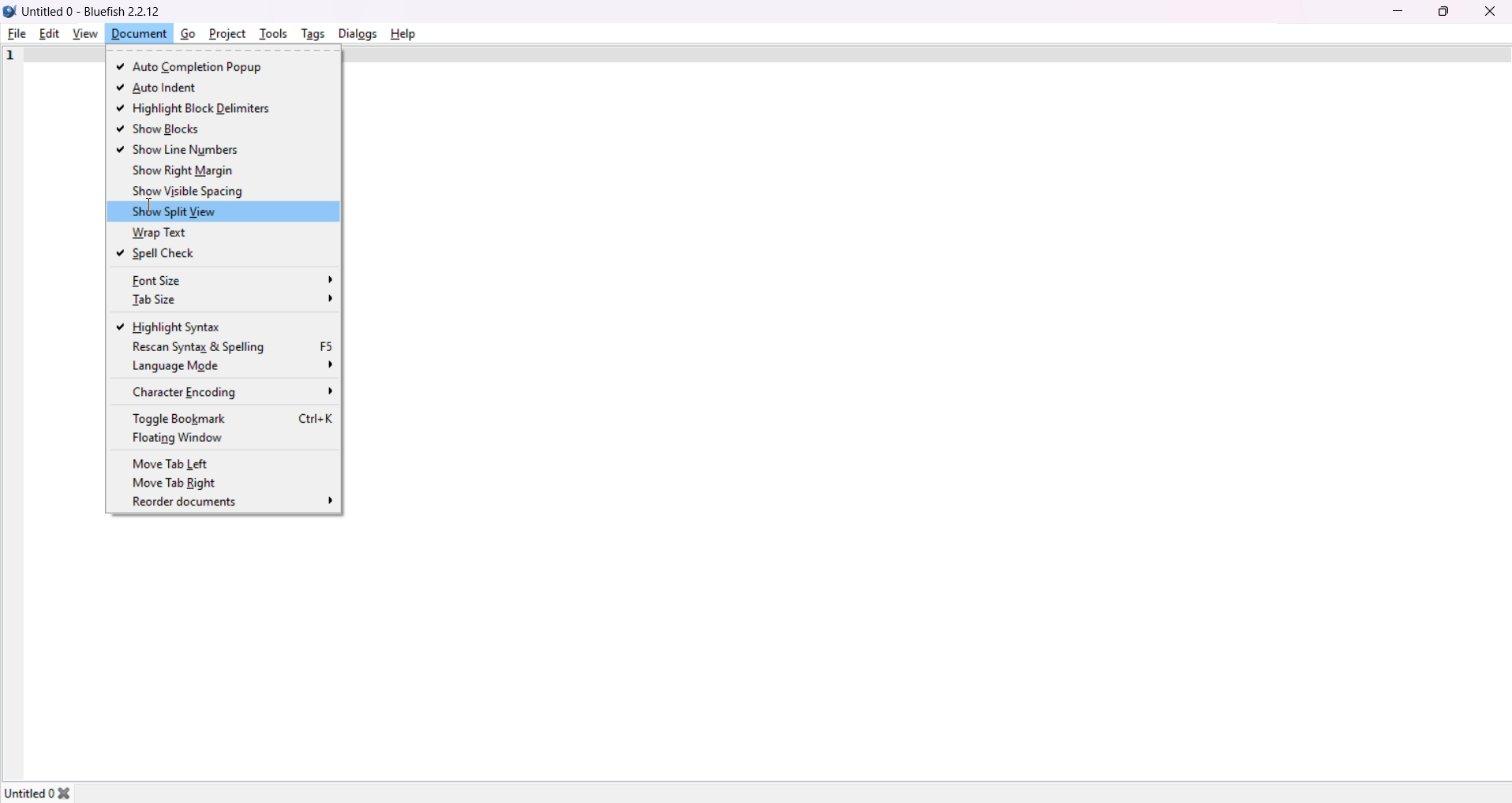  What do you see at coordinates (230, 347) in the screenshot?
I see `rescan syntax and spelling` at bounding box center [230, 347].